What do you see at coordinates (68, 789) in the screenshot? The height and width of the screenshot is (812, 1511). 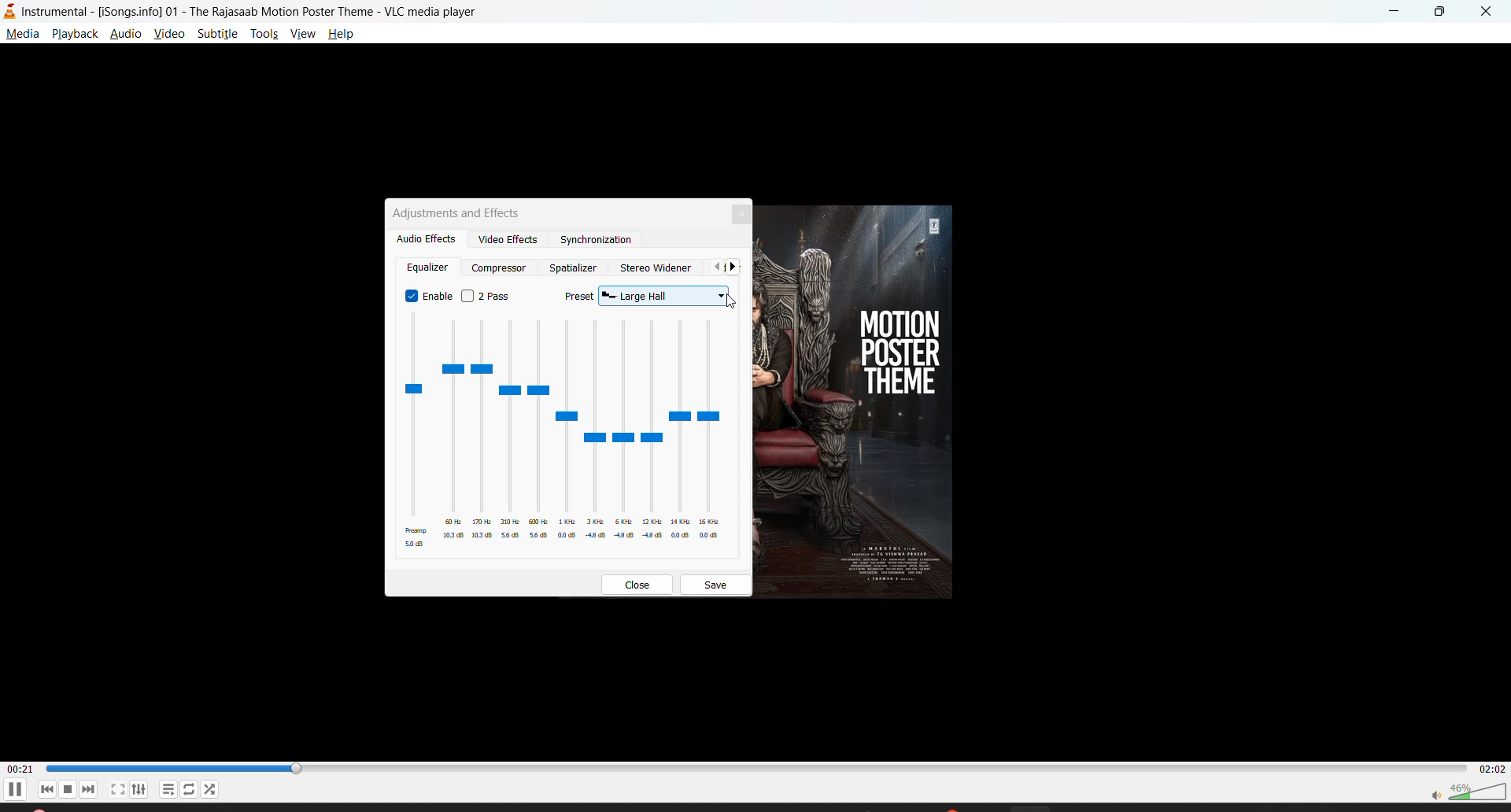 I see `stop` at bounding box center [68, 789].